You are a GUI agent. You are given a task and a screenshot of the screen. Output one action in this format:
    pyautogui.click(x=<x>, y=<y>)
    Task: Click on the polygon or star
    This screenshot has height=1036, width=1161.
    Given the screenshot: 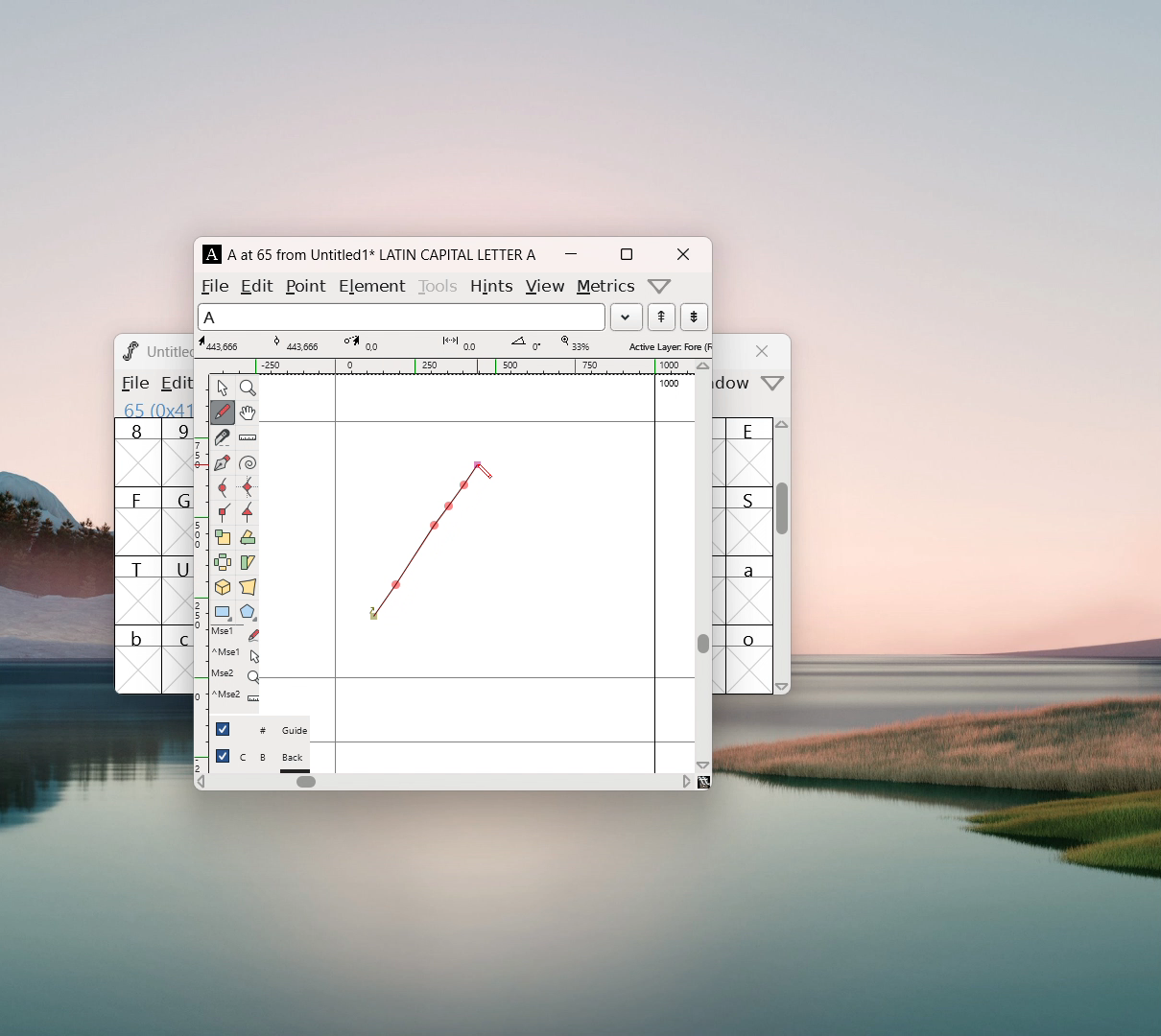 What is the action you would take?
    pyautogui.click(x=249, y=614)
    